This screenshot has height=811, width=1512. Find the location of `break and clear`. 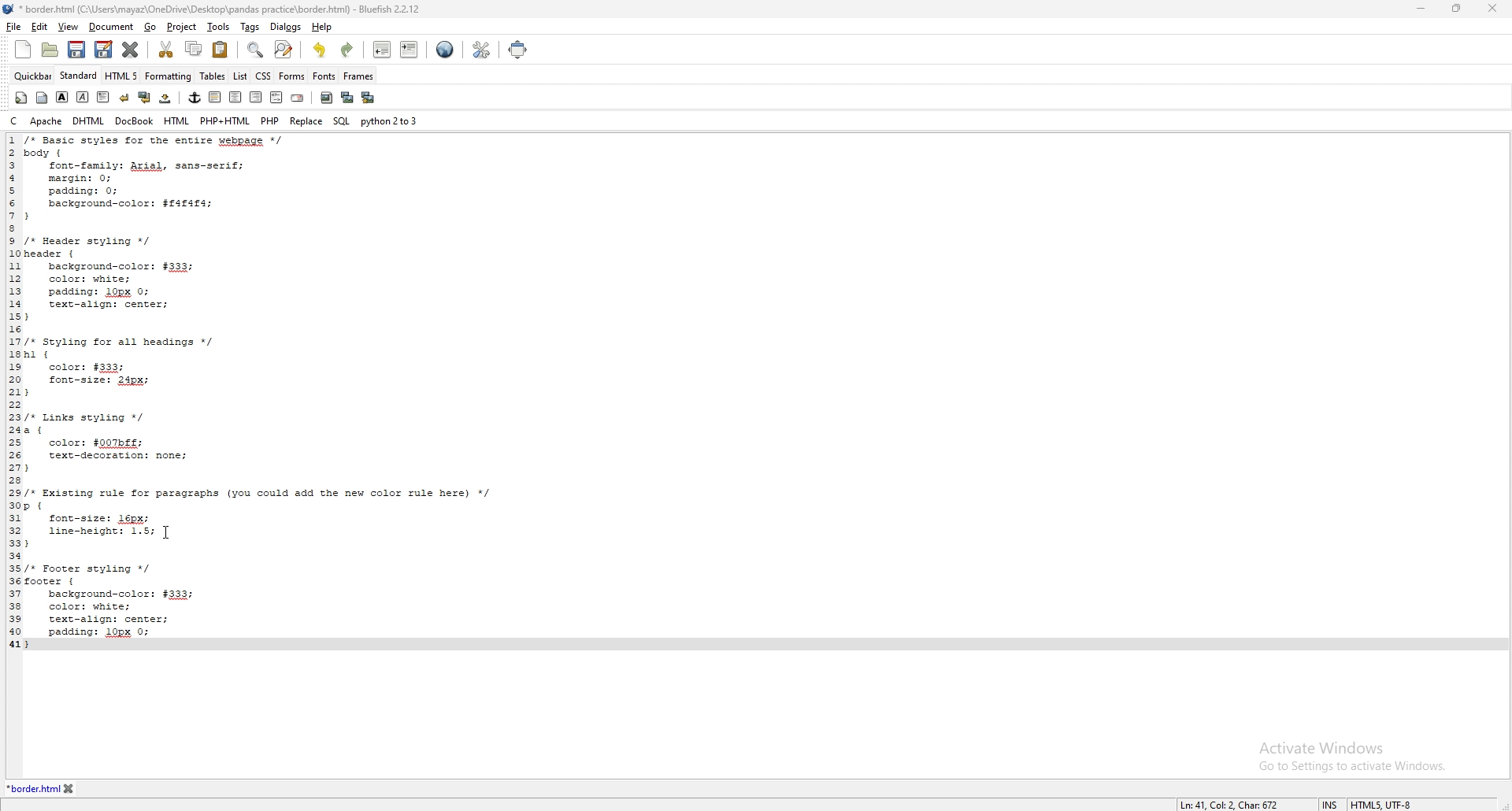

break and clear is located at coordinates (145, 97).